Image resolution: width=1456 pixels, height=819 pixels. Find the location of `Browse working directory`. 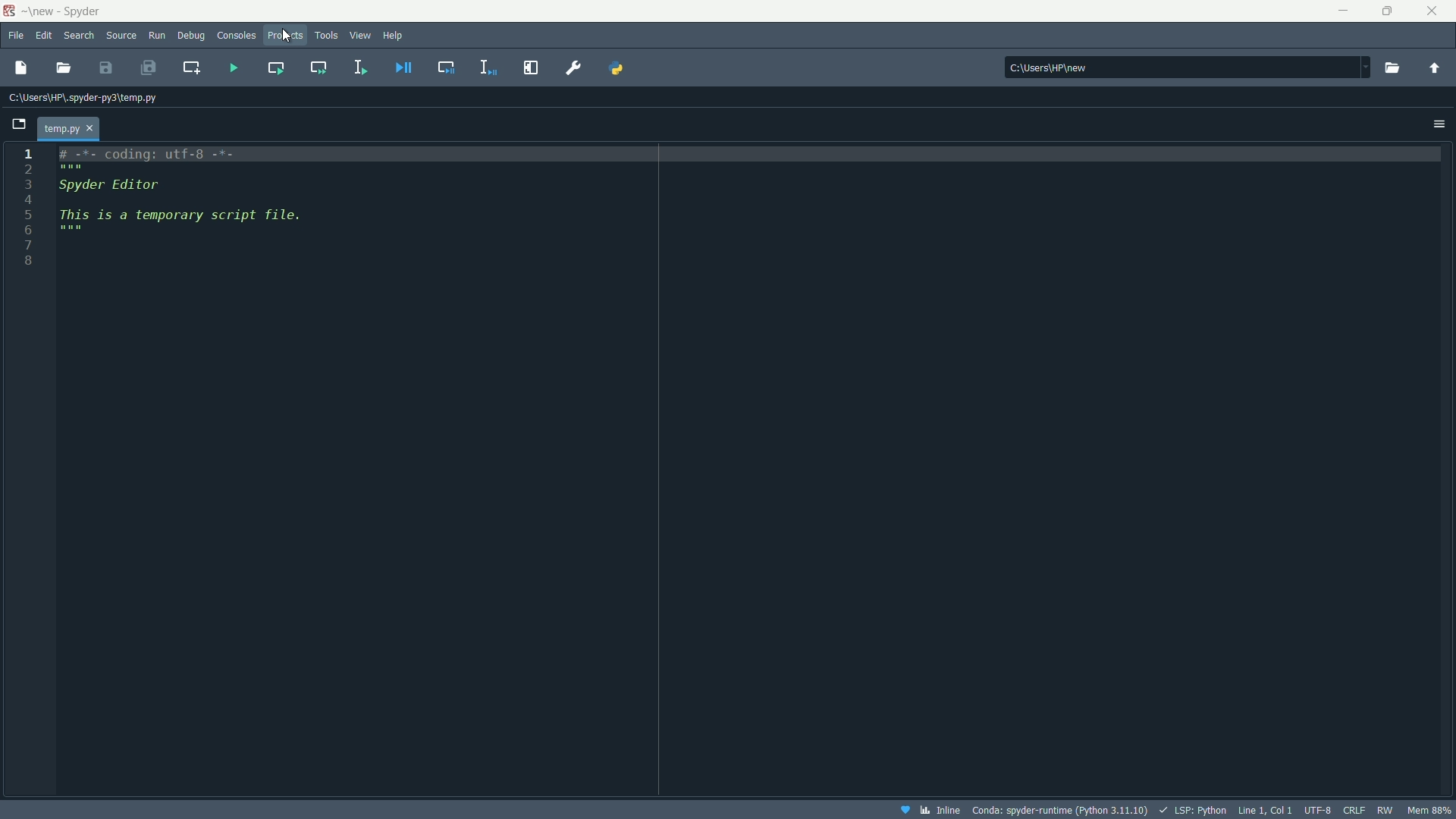

Browse working directory is located at coordinates (1394, 64).